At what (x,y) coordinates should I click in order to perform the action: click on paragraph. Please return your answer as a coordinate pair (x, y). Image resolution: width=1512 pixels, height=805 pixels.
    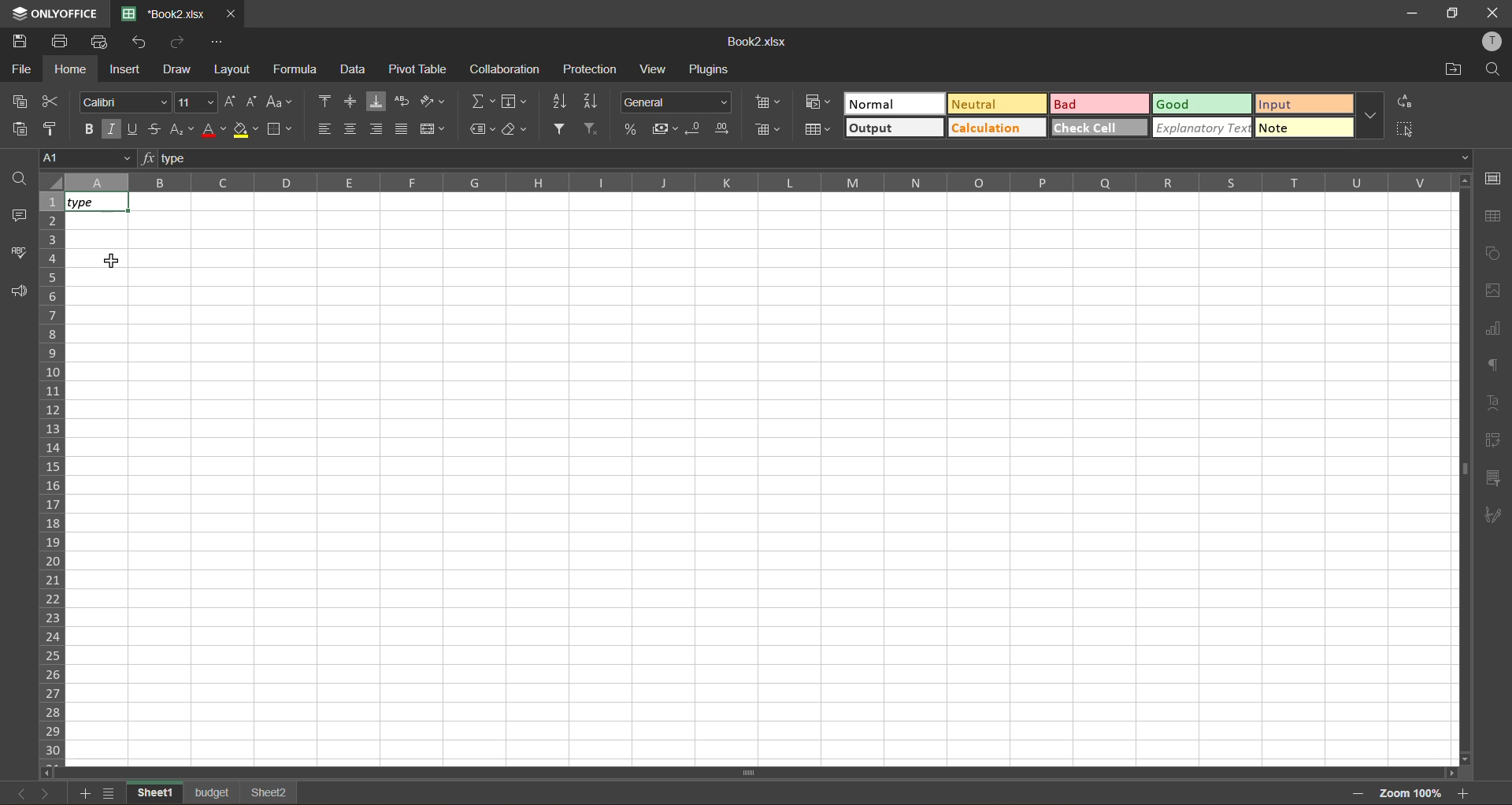
    Looking at the image, I should click on (1493, 365).